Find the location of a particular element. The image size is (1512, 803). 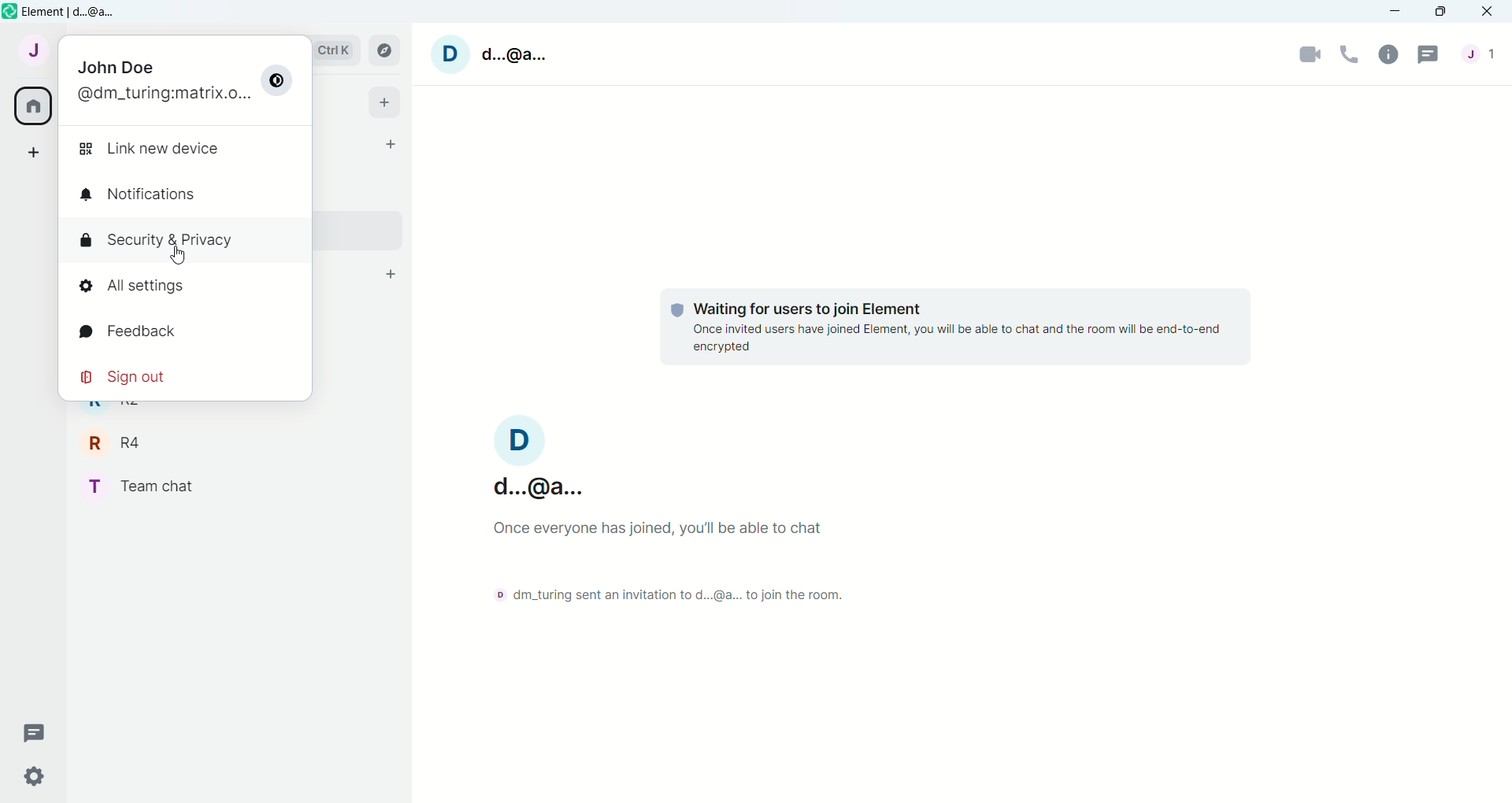

D is located at coordinates (520, 439).